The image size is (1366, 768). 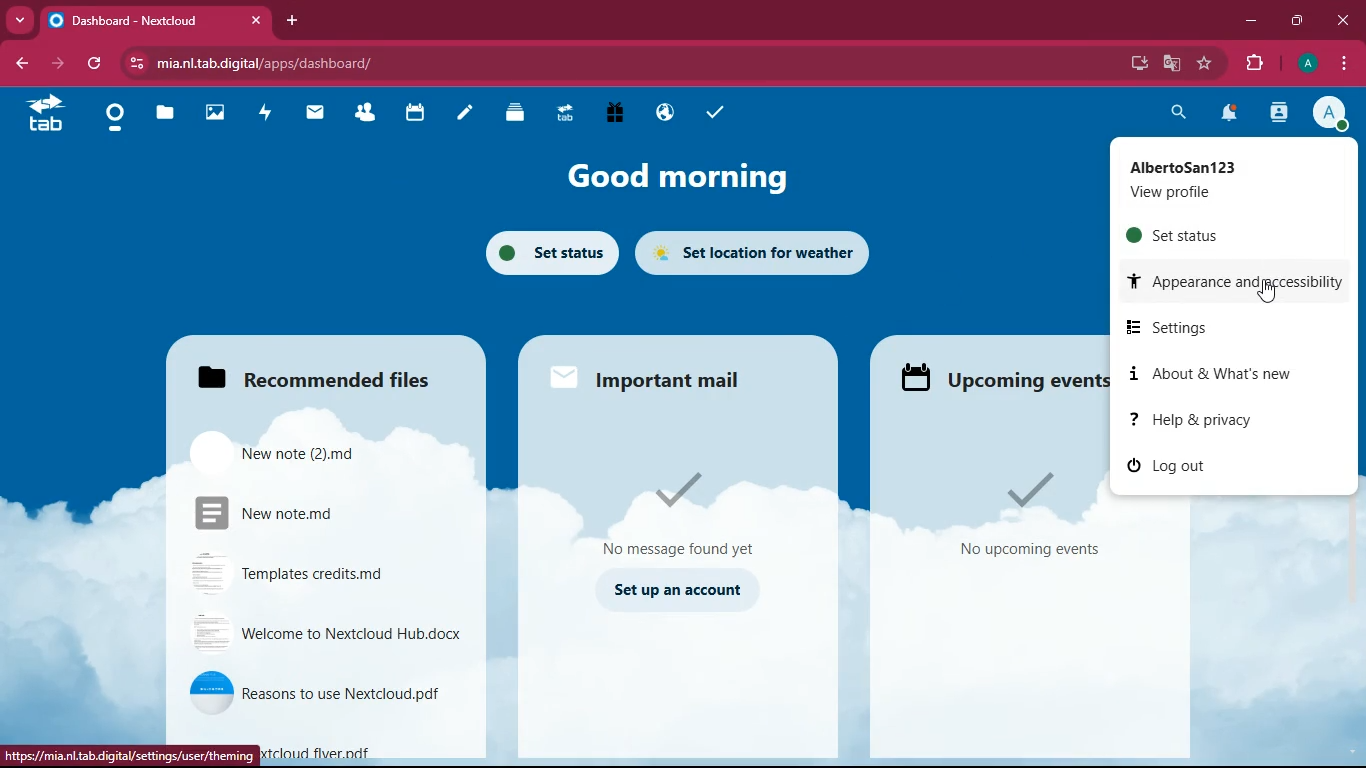 What do you see at coordinates (522, 116) in the screenshot?
I see `layers` at bounding box center [522, 116].